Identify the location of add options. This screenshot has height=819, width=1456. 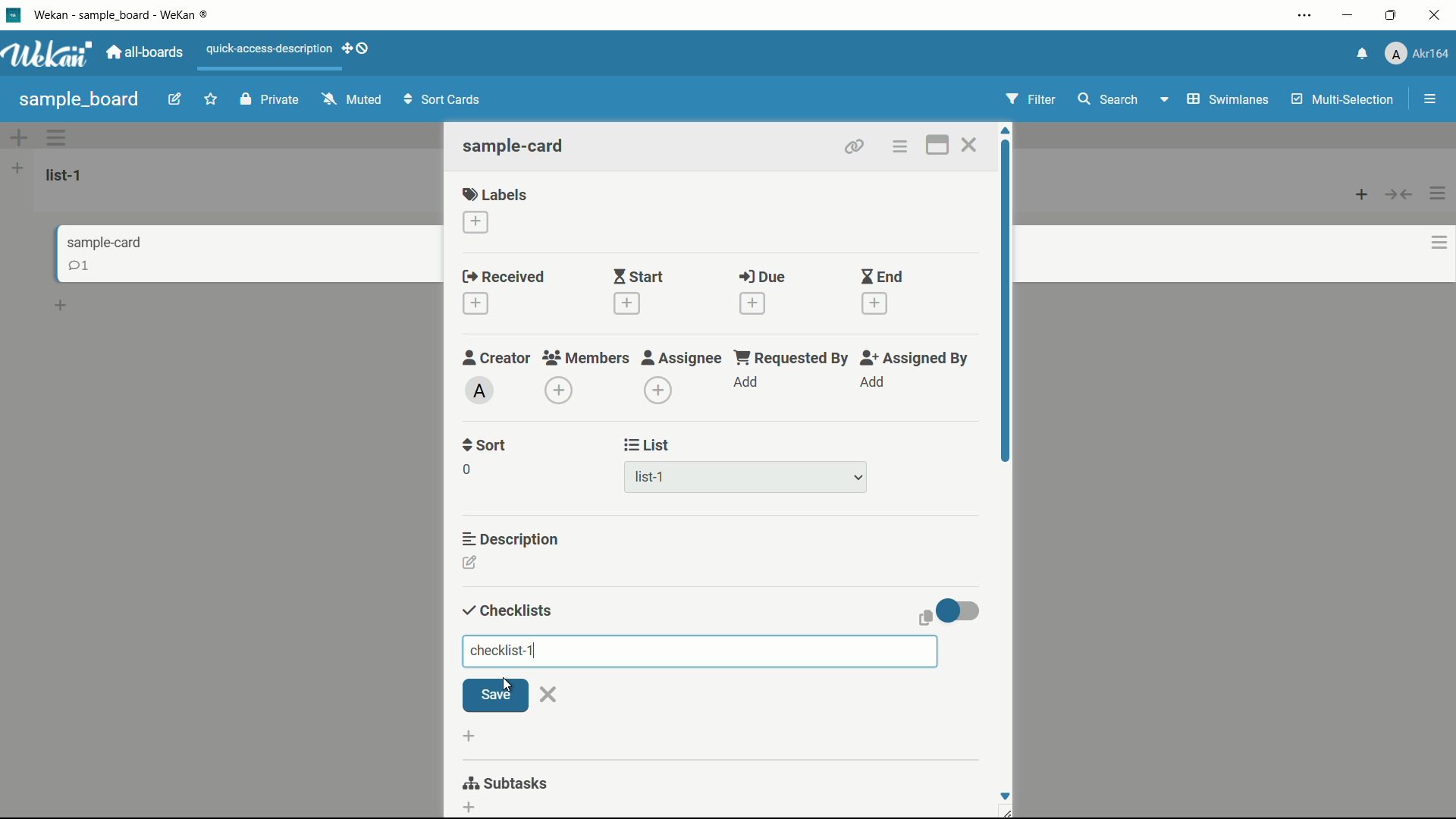
(16, 136).